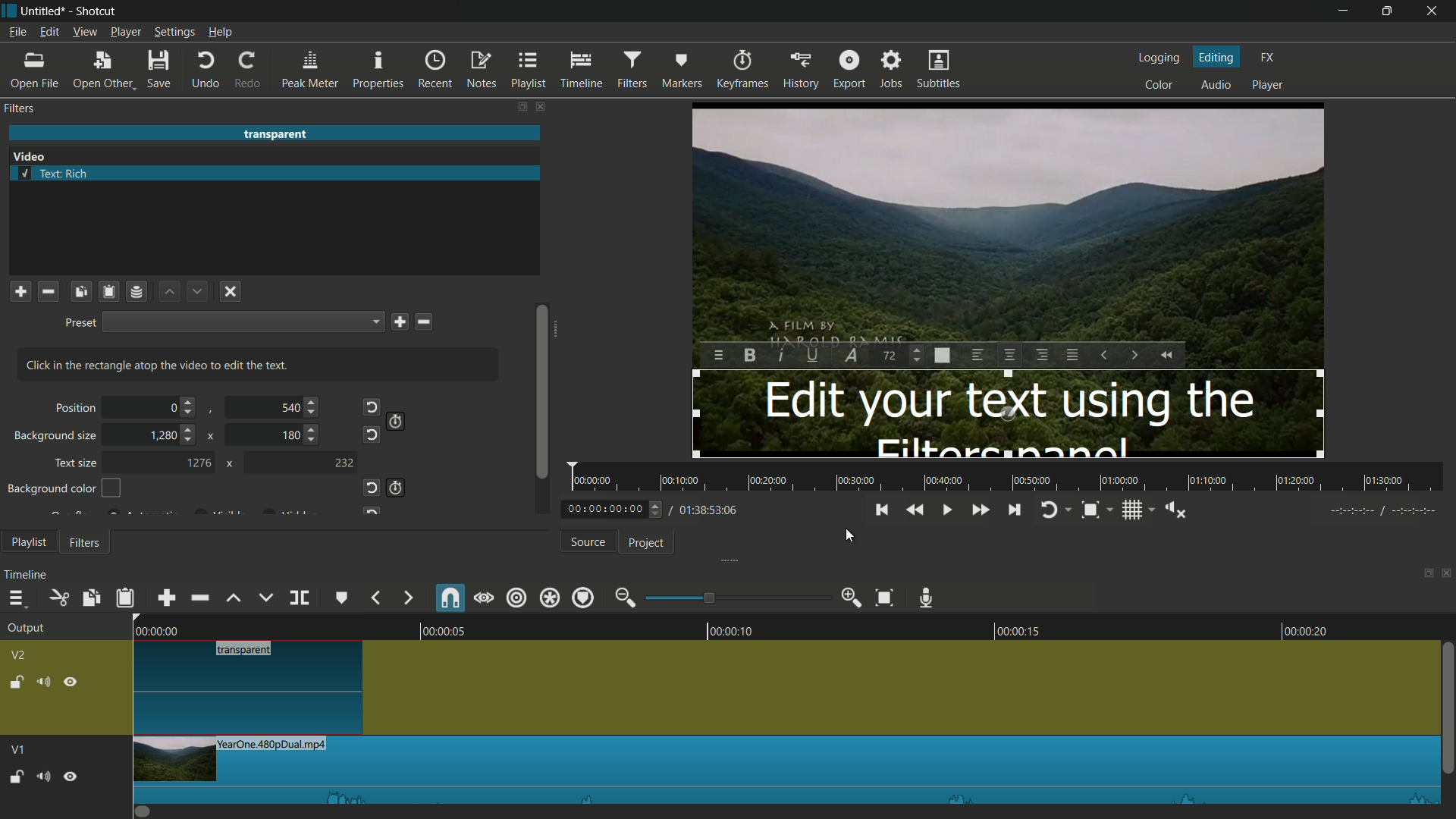 The image size is (1456, 819). Describe the element at coordinates (24, 629) in the screenshot. I see `output` at that location.